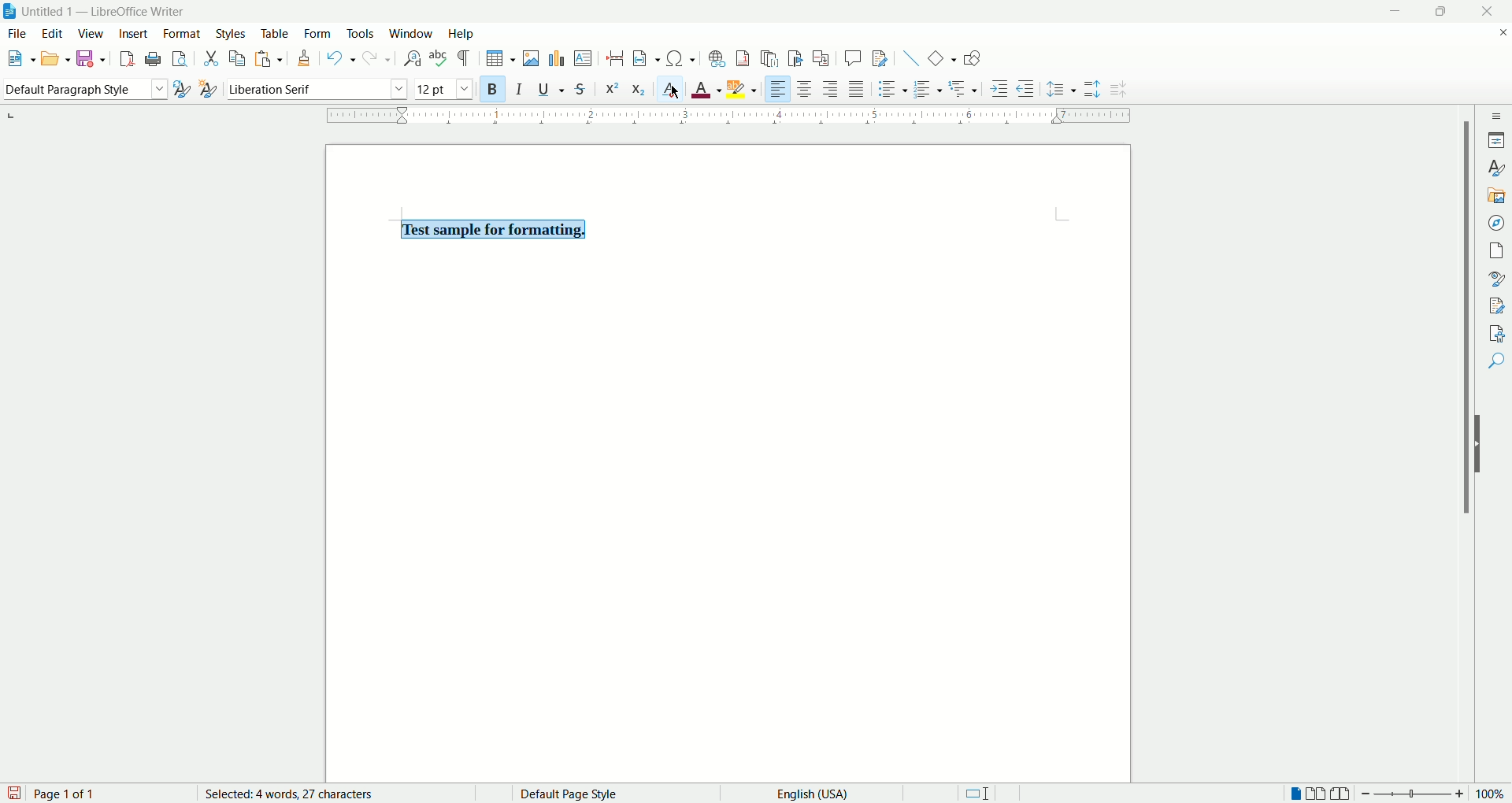  Describe the element at coordinates (1062, 88) in the screenshot. I see `set line spacing` at that location.